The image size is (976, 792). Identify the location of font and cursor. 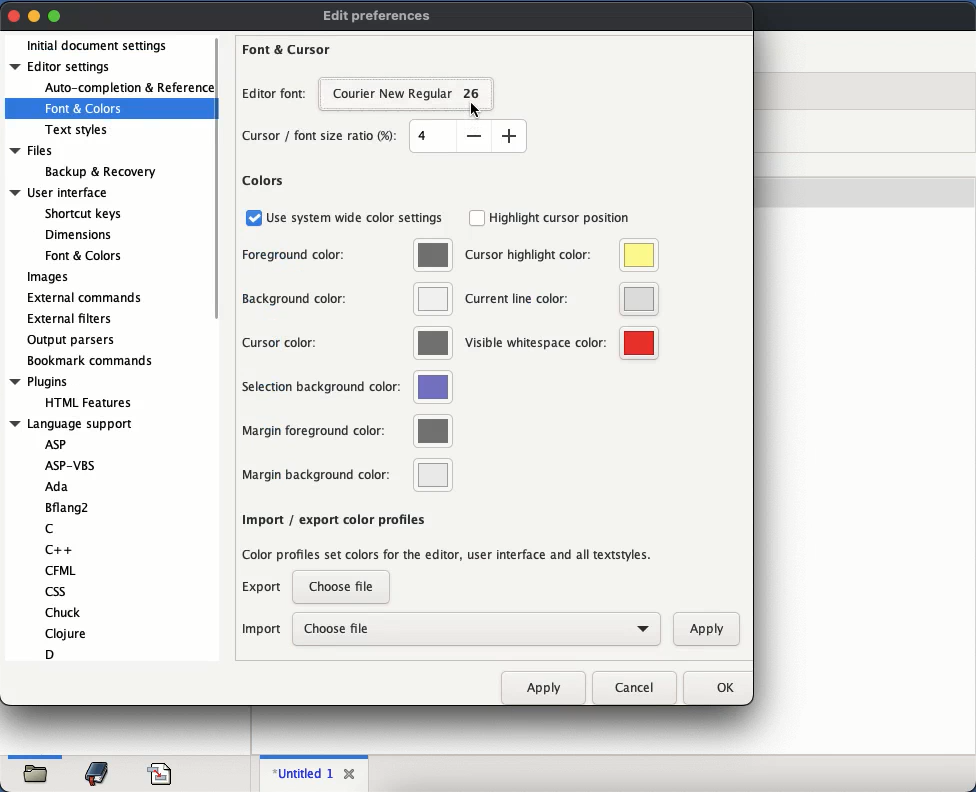
(286, 52).